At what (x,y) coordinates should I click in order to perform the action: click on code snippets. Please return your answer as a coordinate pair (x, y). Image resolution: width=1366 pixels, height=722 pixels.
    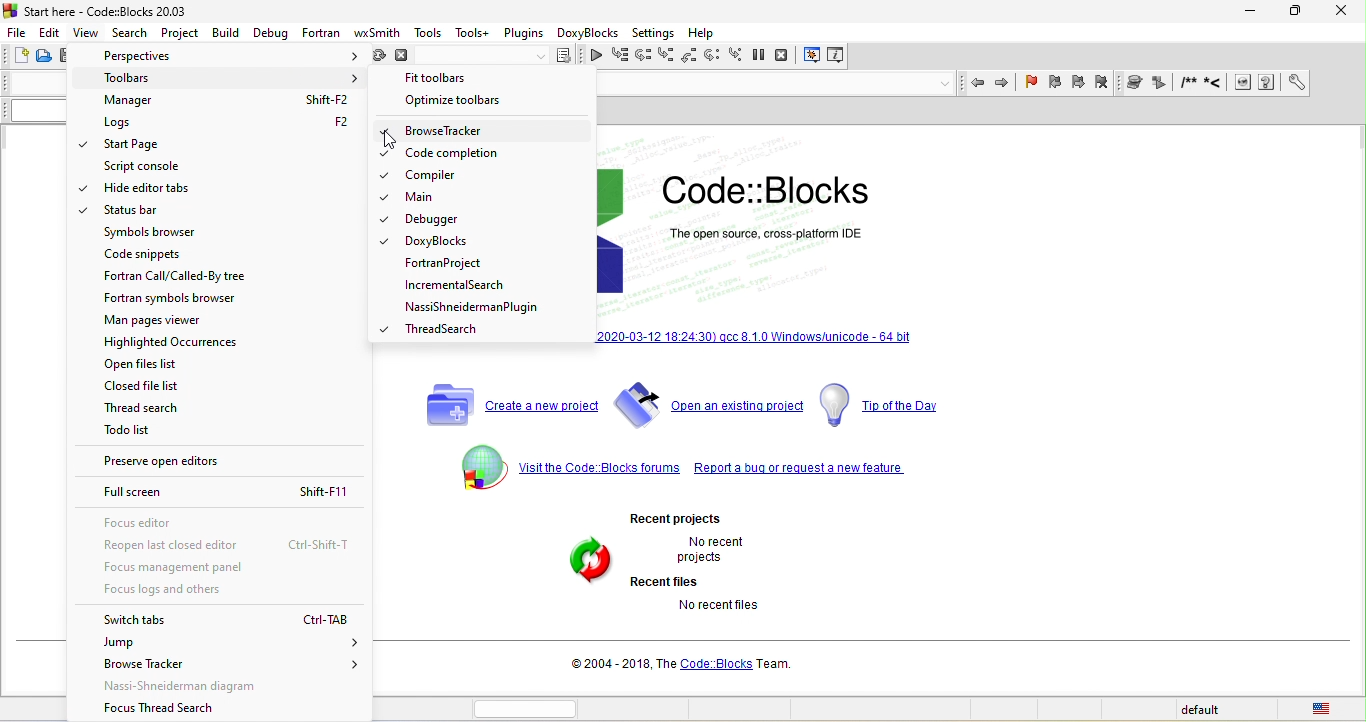
    Looking at the image, I should click on (169, 255).